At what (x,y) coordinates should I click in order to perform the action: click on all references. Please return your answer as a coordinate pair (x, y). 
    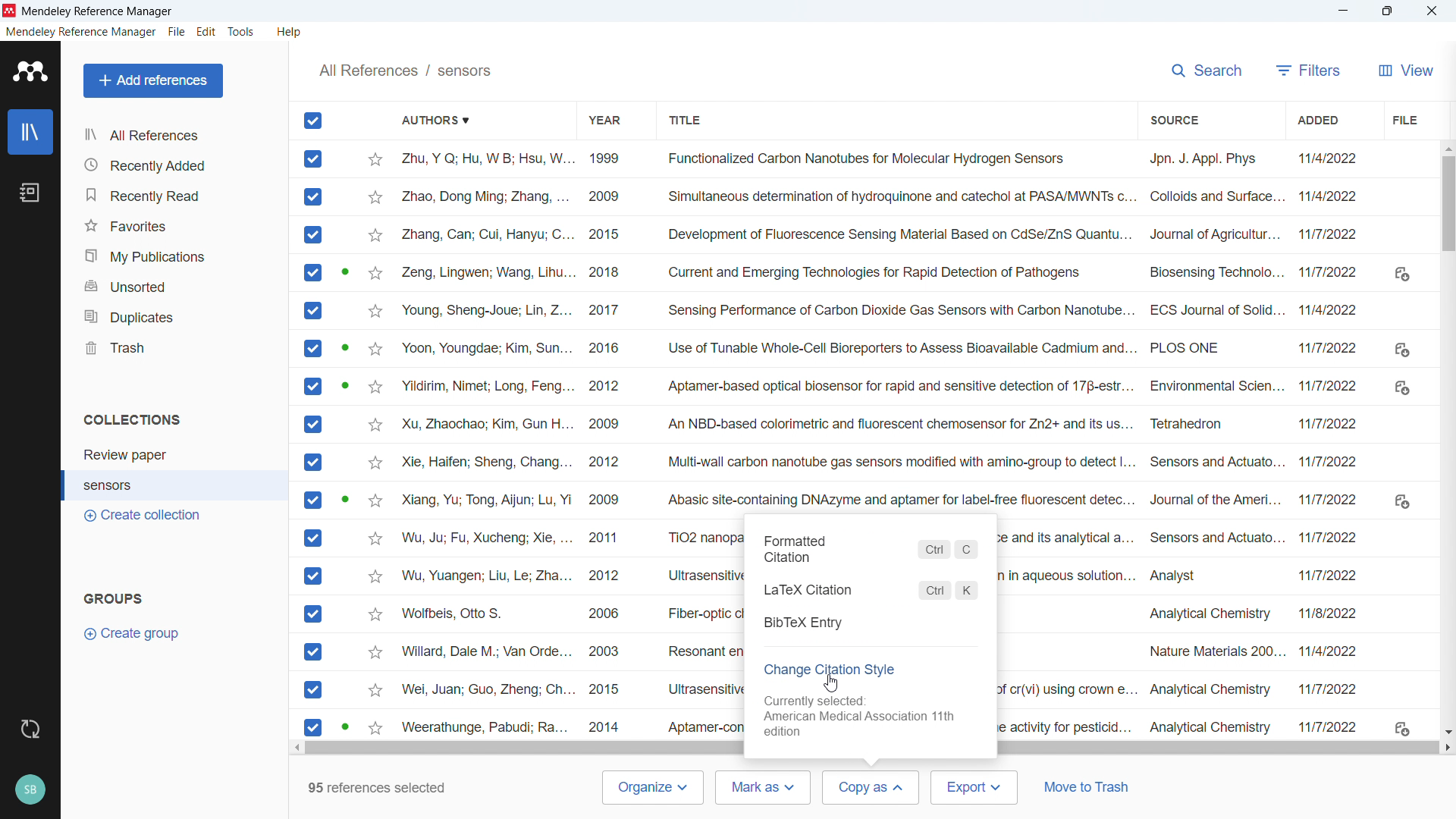
    Looking at the image, I should click on (176, 134).